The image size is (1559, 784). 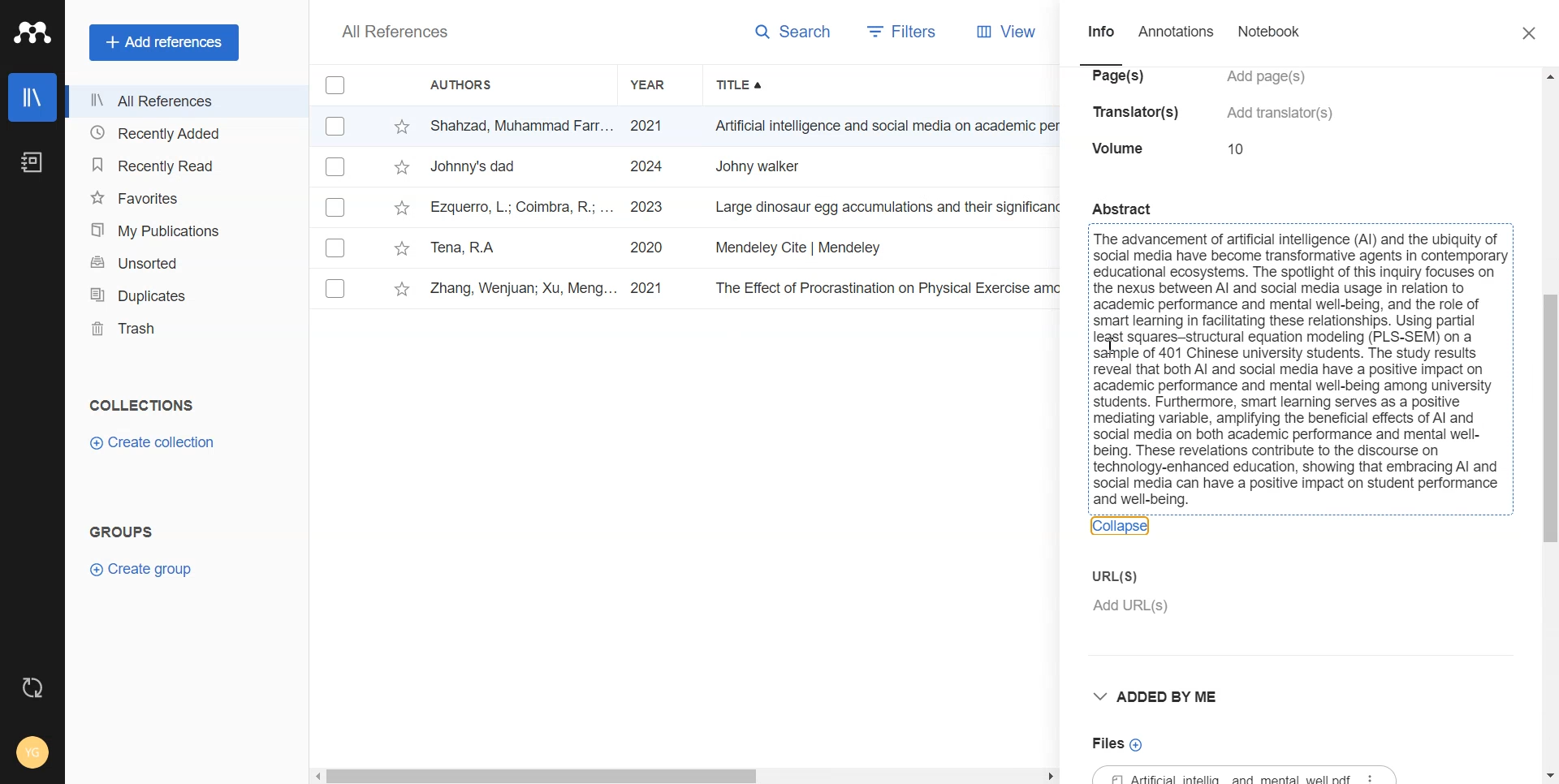 I want to click on Create collection, so click(x=152, y=442).